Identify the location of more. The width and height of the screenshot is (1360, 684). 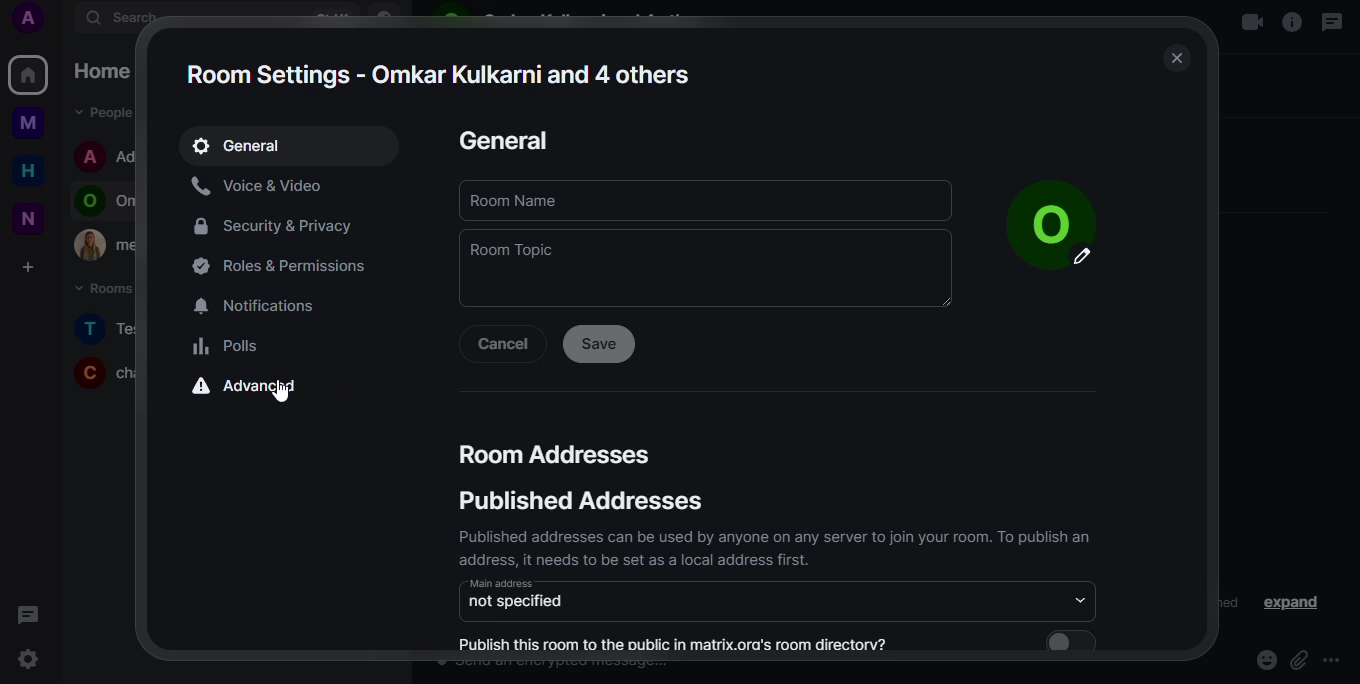
(1331, 661).